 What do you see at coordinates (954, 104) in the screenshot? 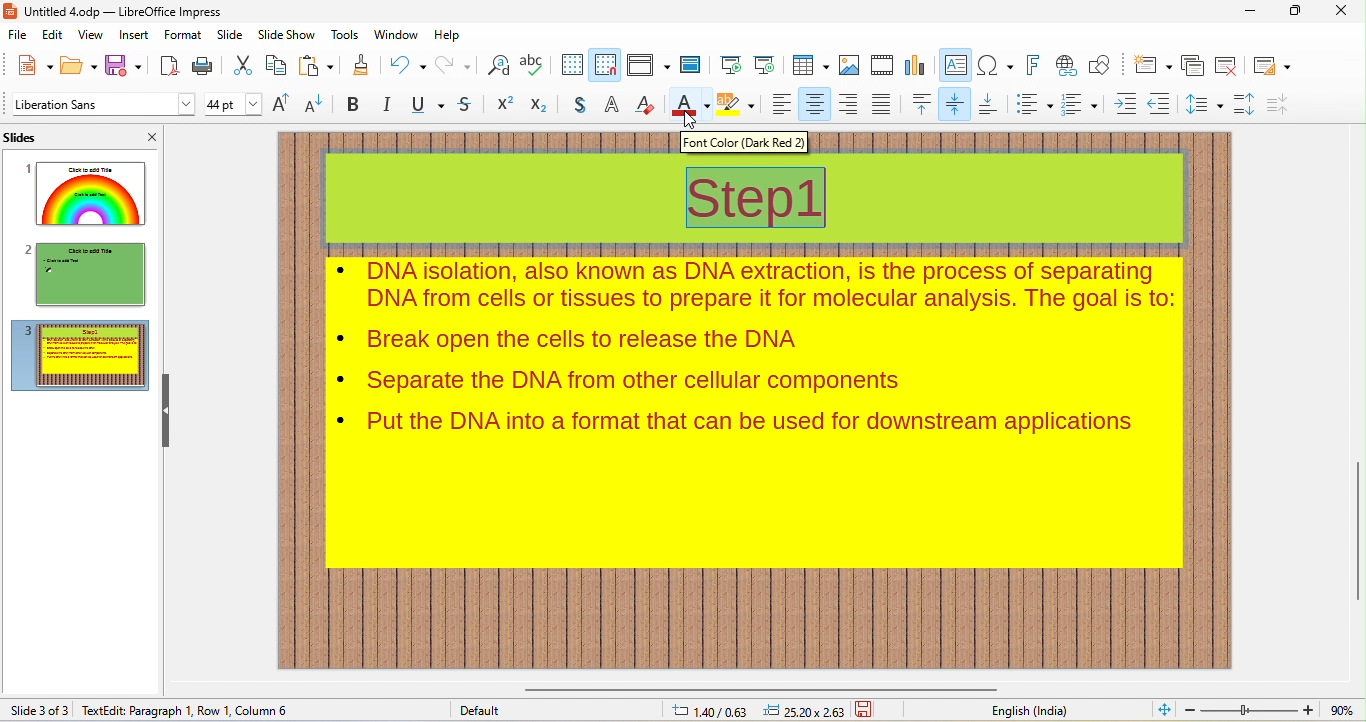
I see `center vertically` at bounding box center [954, 104].